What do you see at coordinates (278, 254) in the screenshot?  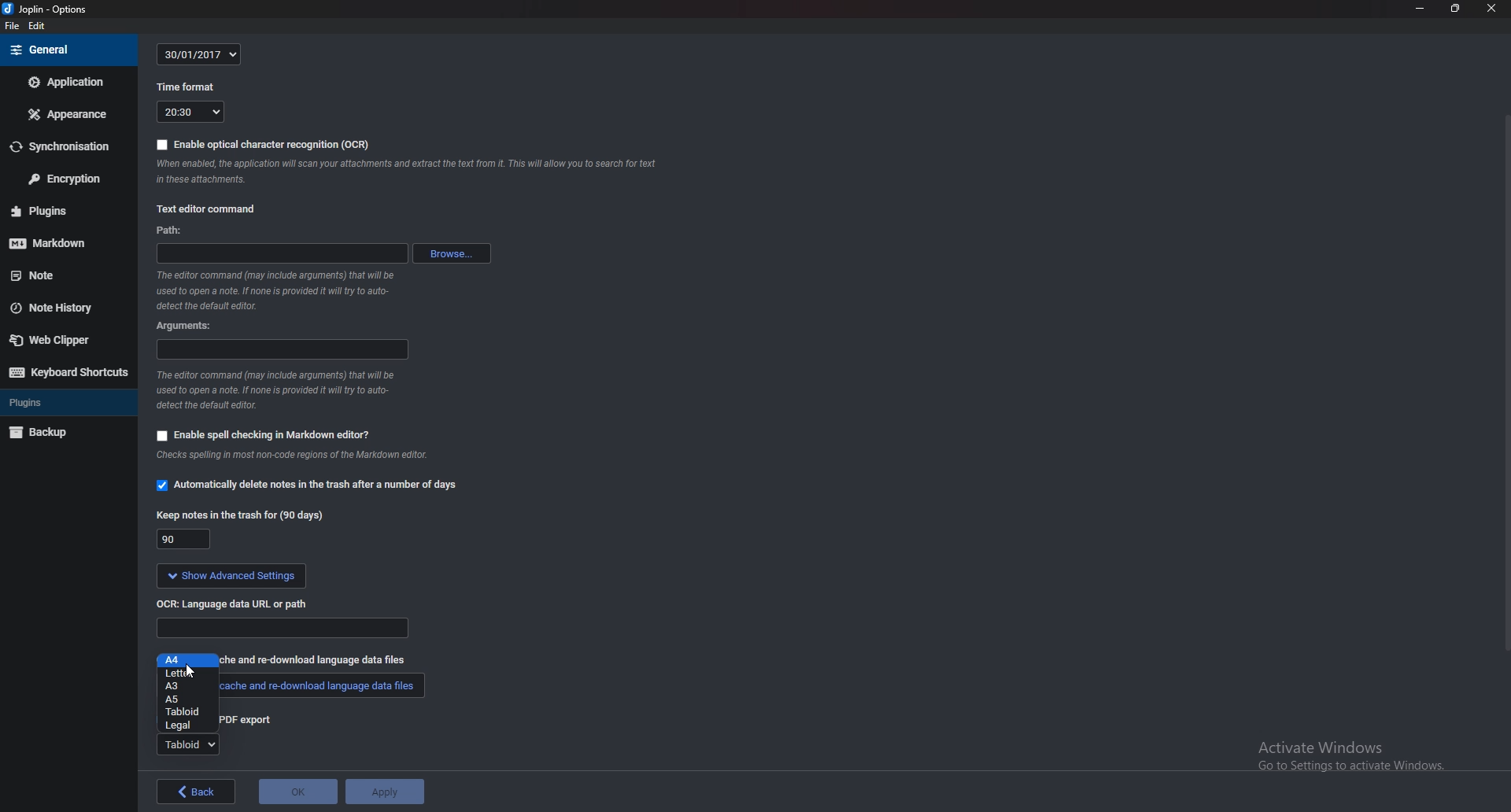 I see `path` at bounding box center [278, 254].